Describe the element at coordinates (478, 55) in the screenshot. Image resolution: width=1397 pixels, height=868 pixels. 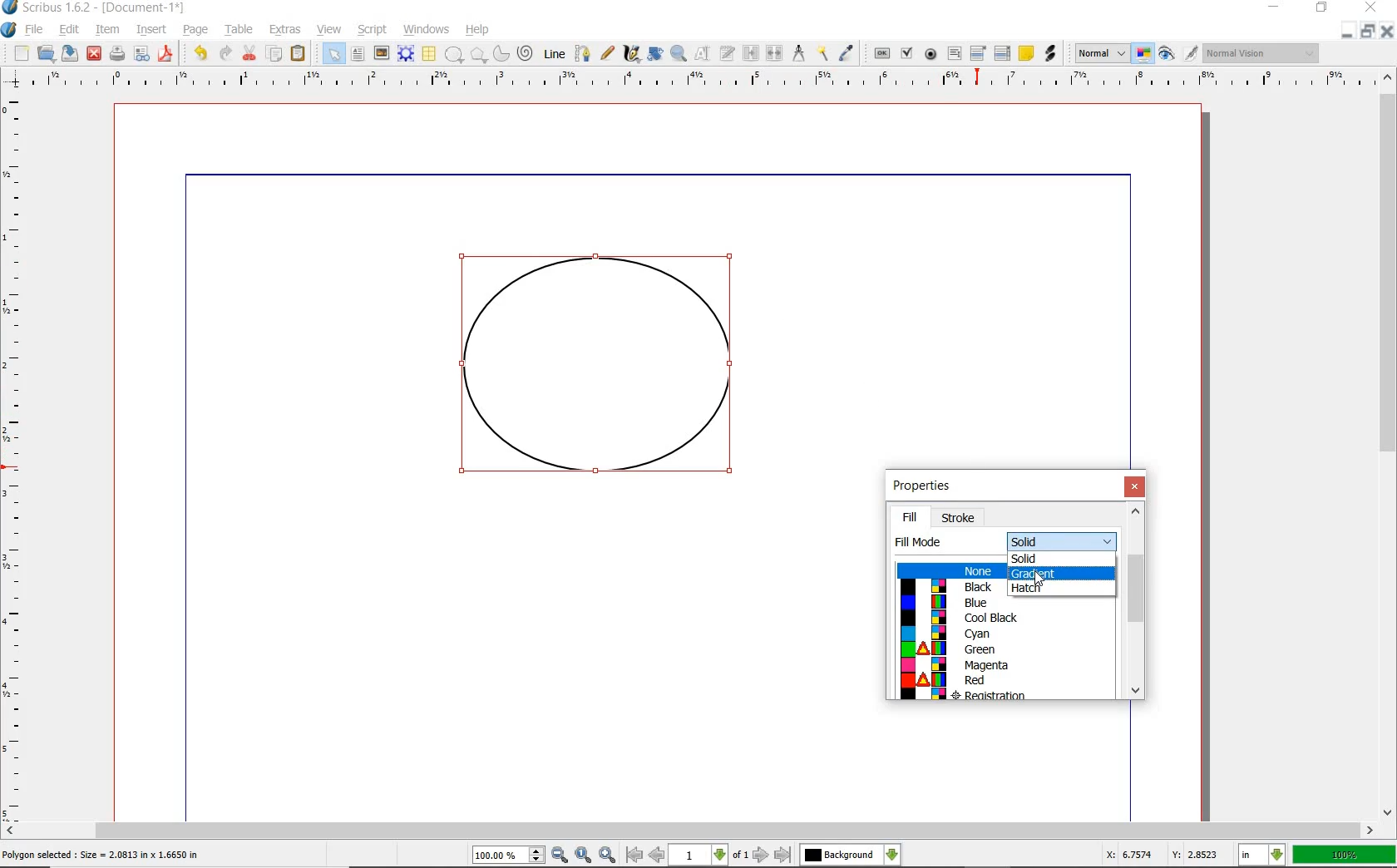
I see `POLYGON` at that location.